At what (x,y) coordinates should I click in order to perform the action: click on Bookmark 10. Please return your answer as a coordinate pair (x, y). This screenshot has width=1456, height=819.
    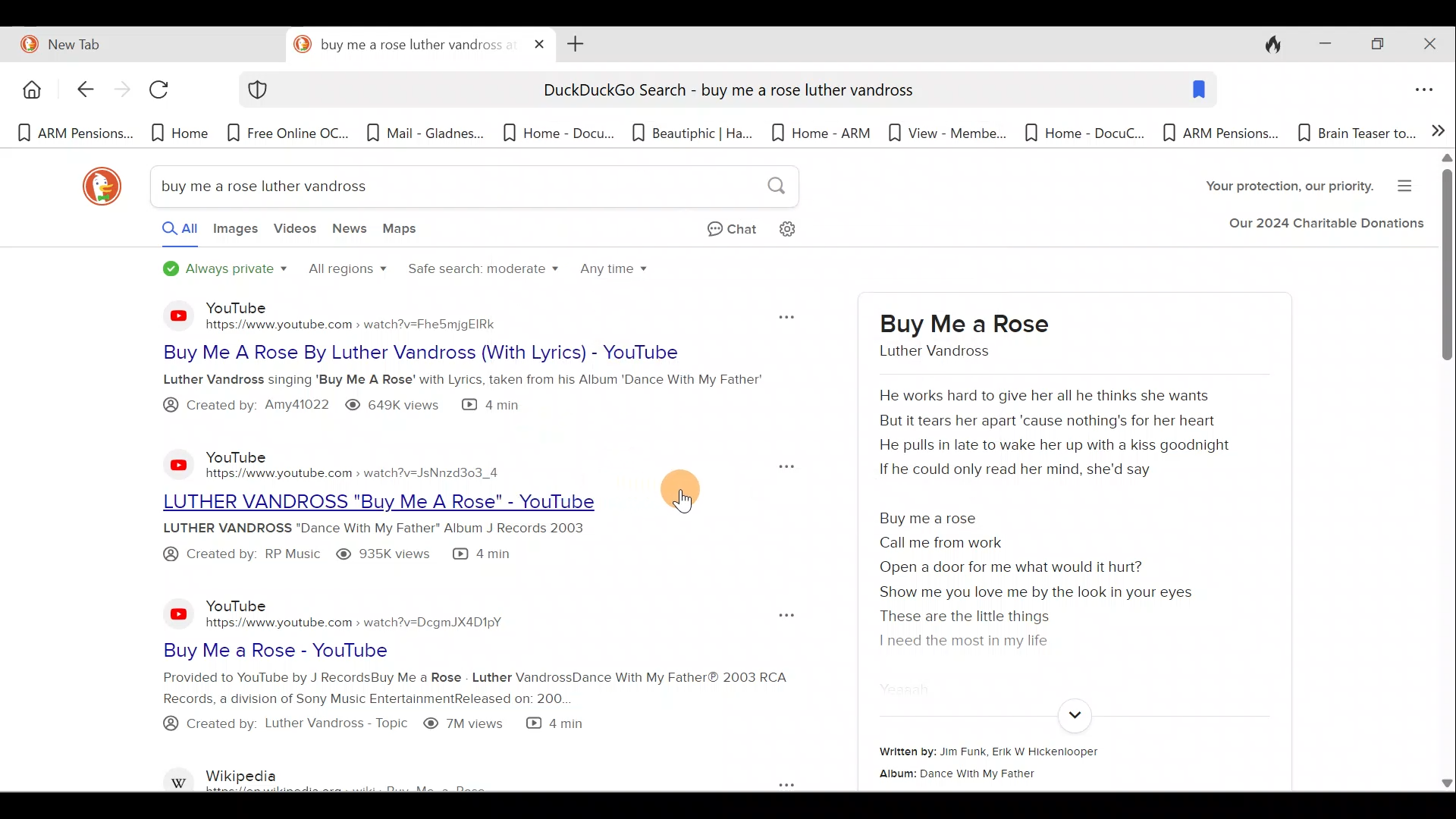
    Looking at the image, I should click on (1221, 134).